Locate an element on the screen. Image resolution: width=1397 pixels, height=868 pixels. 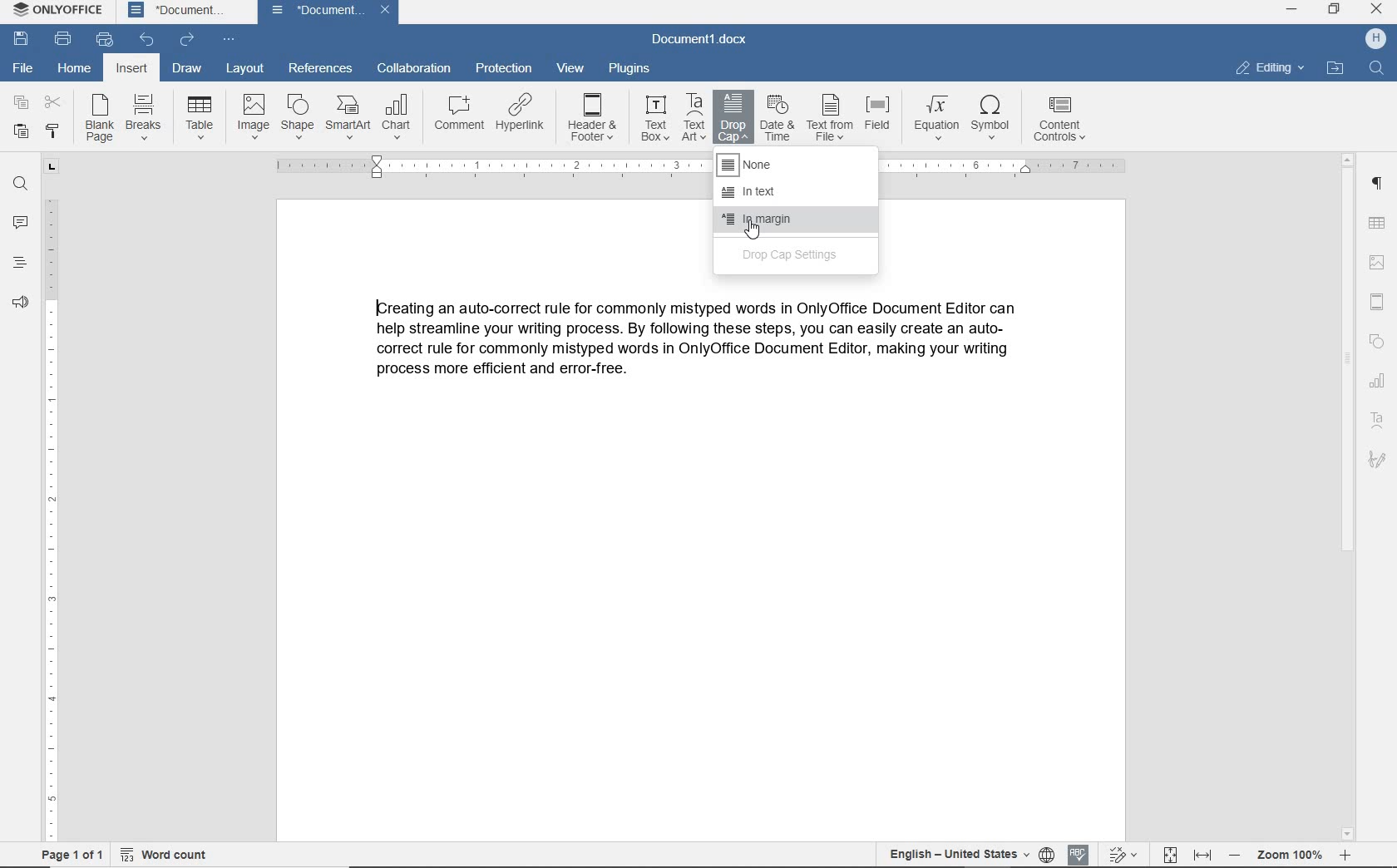
shape is located at coordinates (297, 116).